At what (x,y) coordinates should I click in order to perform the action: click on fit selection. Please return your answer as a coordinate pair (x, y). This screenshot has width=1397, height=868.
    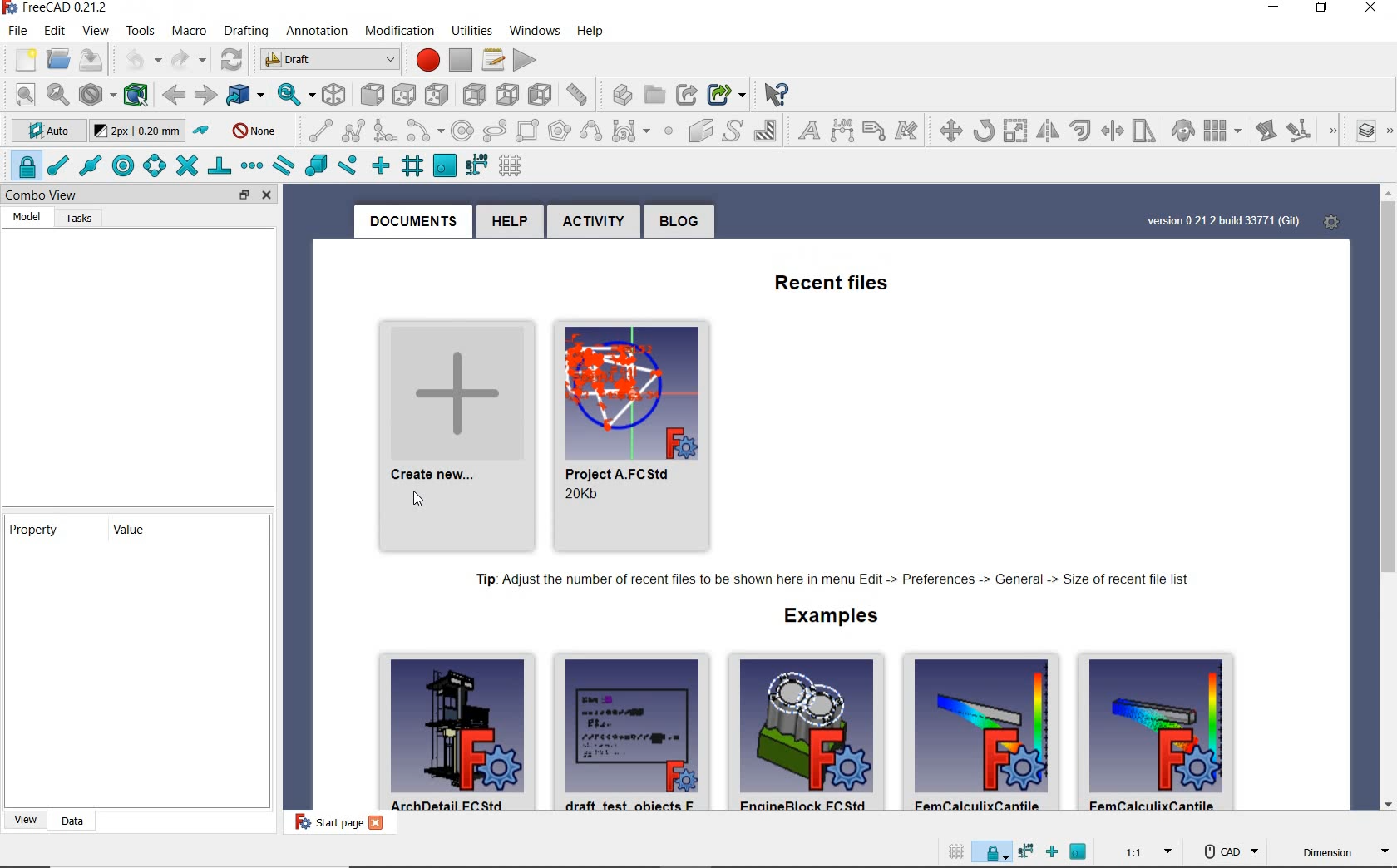
    Looking at the image, I should click on (56, 94).